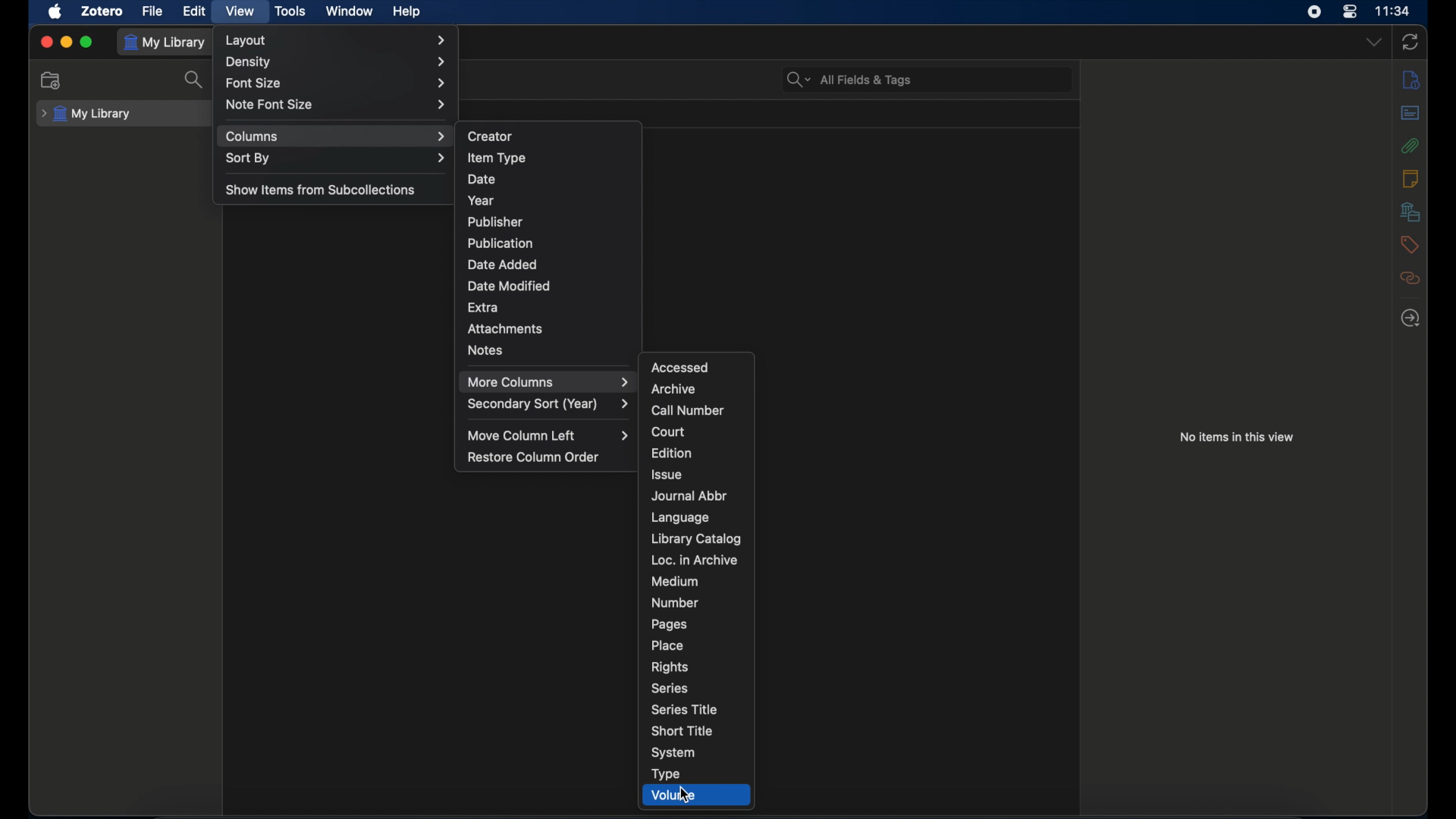  What do you see at coordinates (196, 81) in the screenshot?
I see `search` at bounding box center [196, 81].